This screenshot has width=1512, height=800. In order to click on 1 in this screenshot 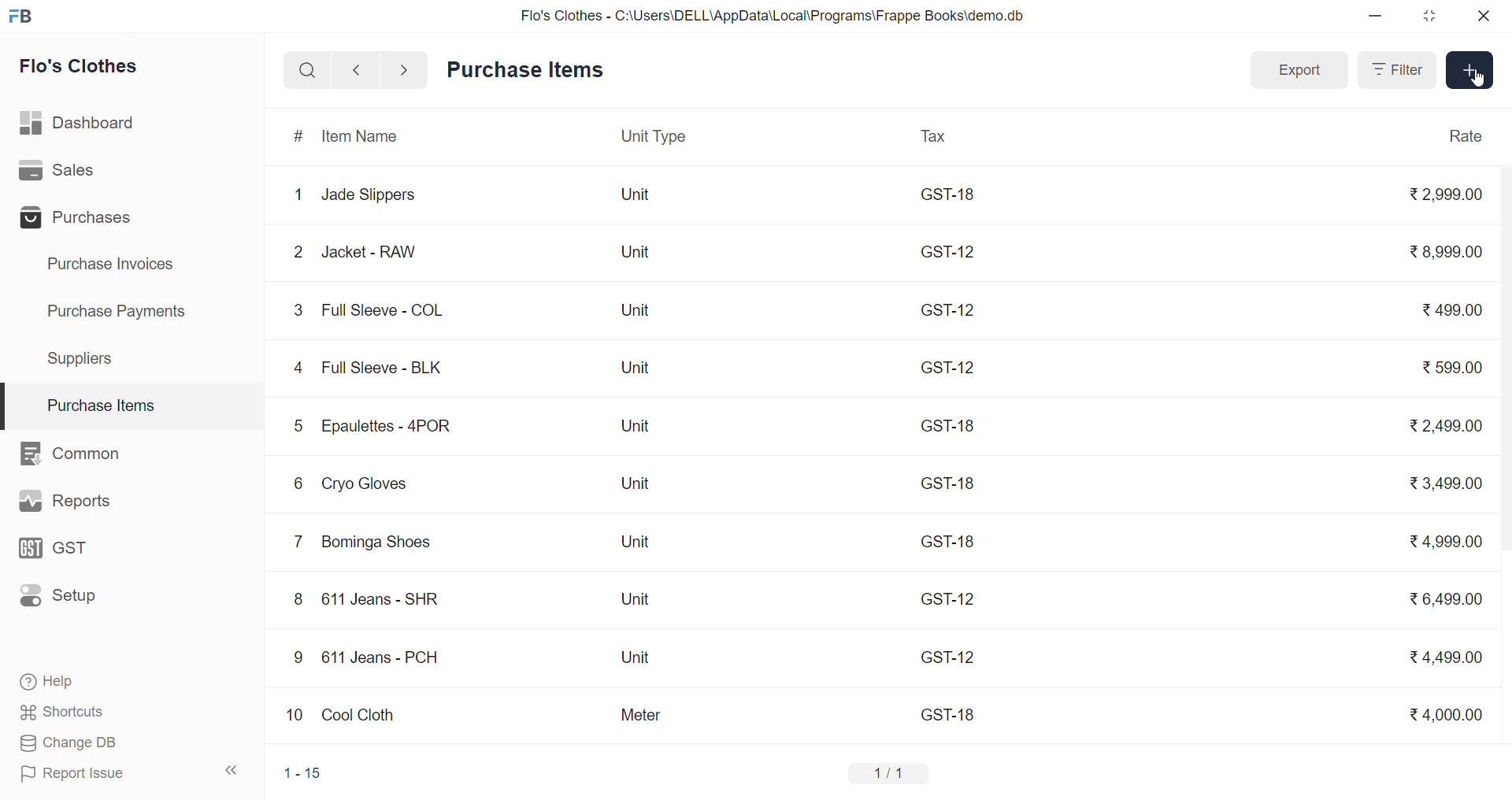, I will do `click(298, 195)`.